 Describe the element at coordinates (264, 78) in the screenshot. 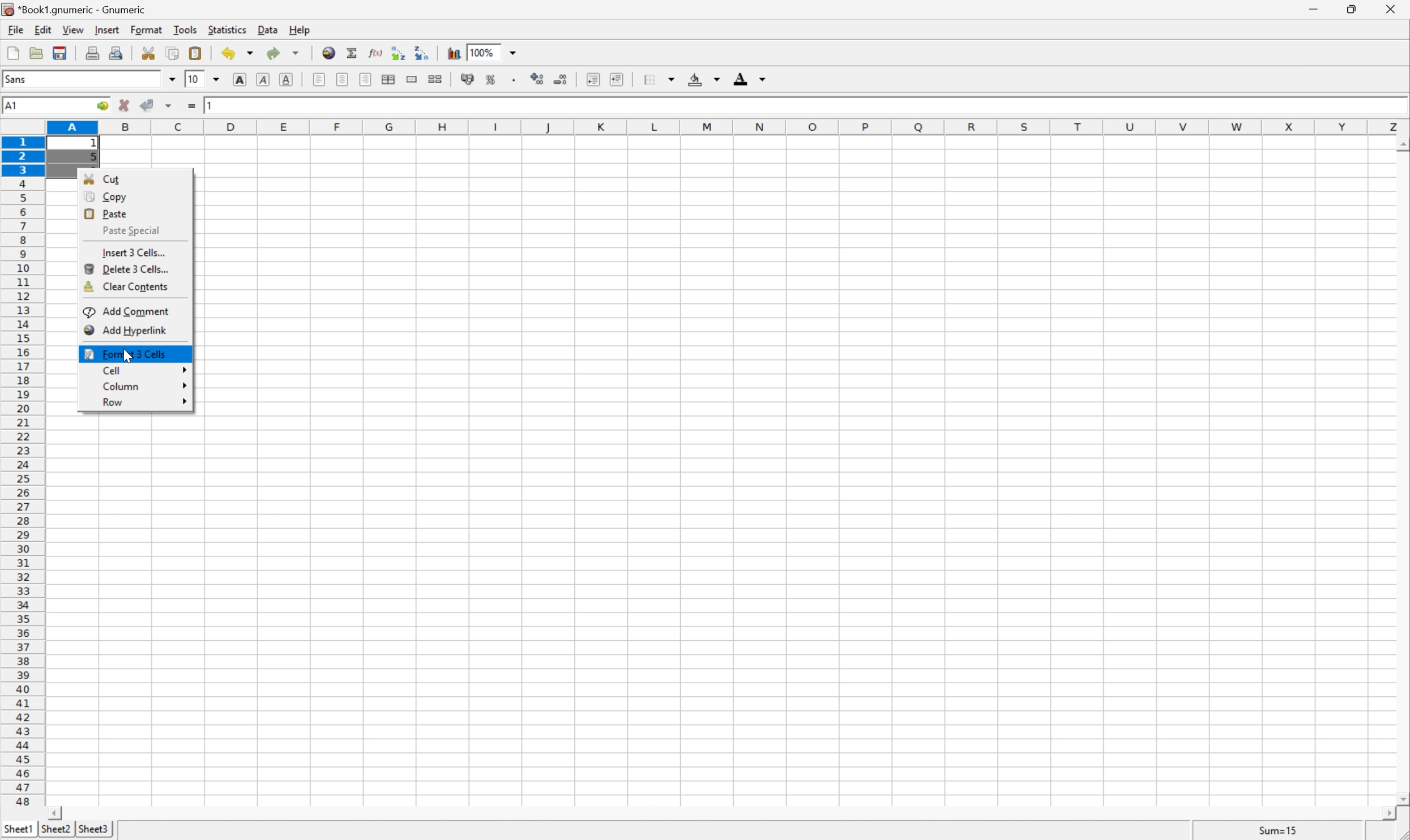

I see `italic` at that location.